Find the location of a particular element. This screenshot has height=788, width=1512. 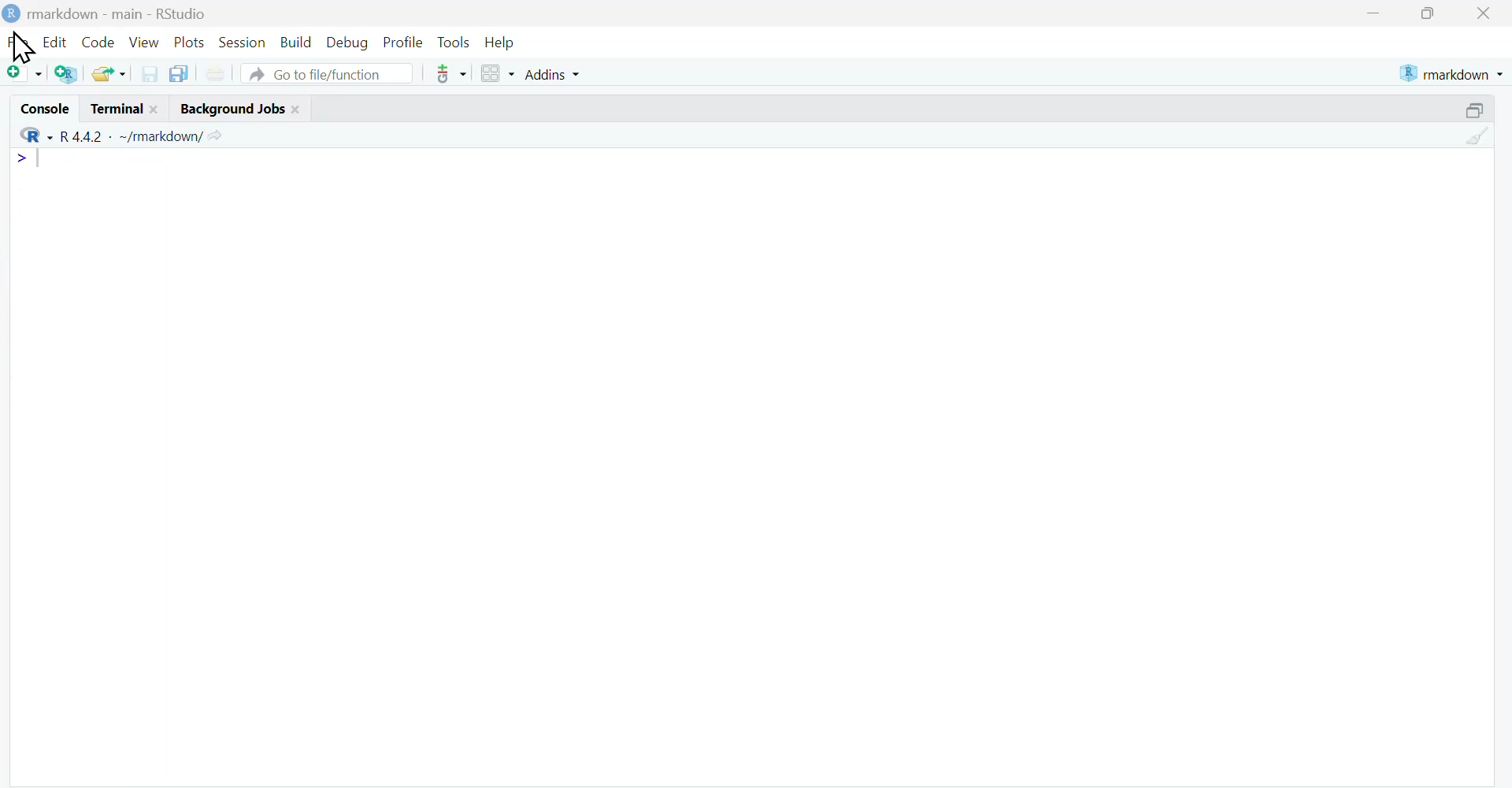

Logo is located at coordinates (13, 14).